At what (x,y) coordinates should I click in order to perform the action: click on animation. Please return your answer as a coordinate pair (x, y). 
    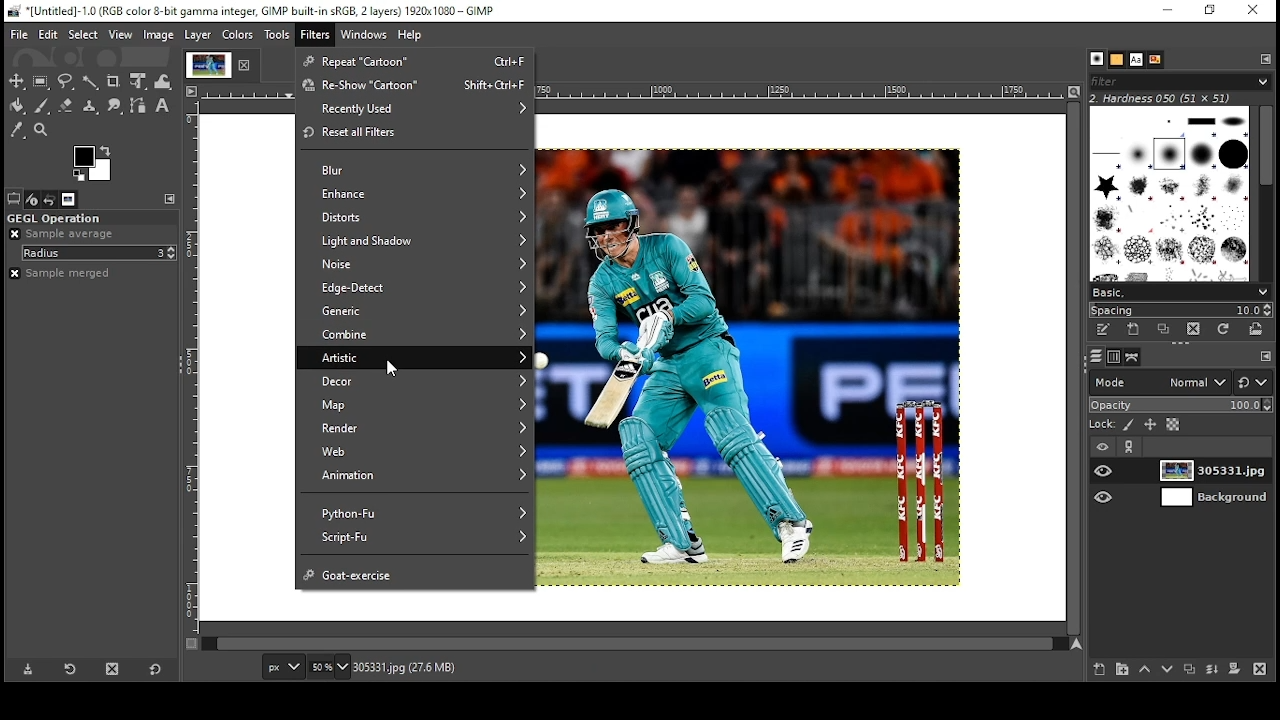
    Looking at the image, I should click on (418, 477).